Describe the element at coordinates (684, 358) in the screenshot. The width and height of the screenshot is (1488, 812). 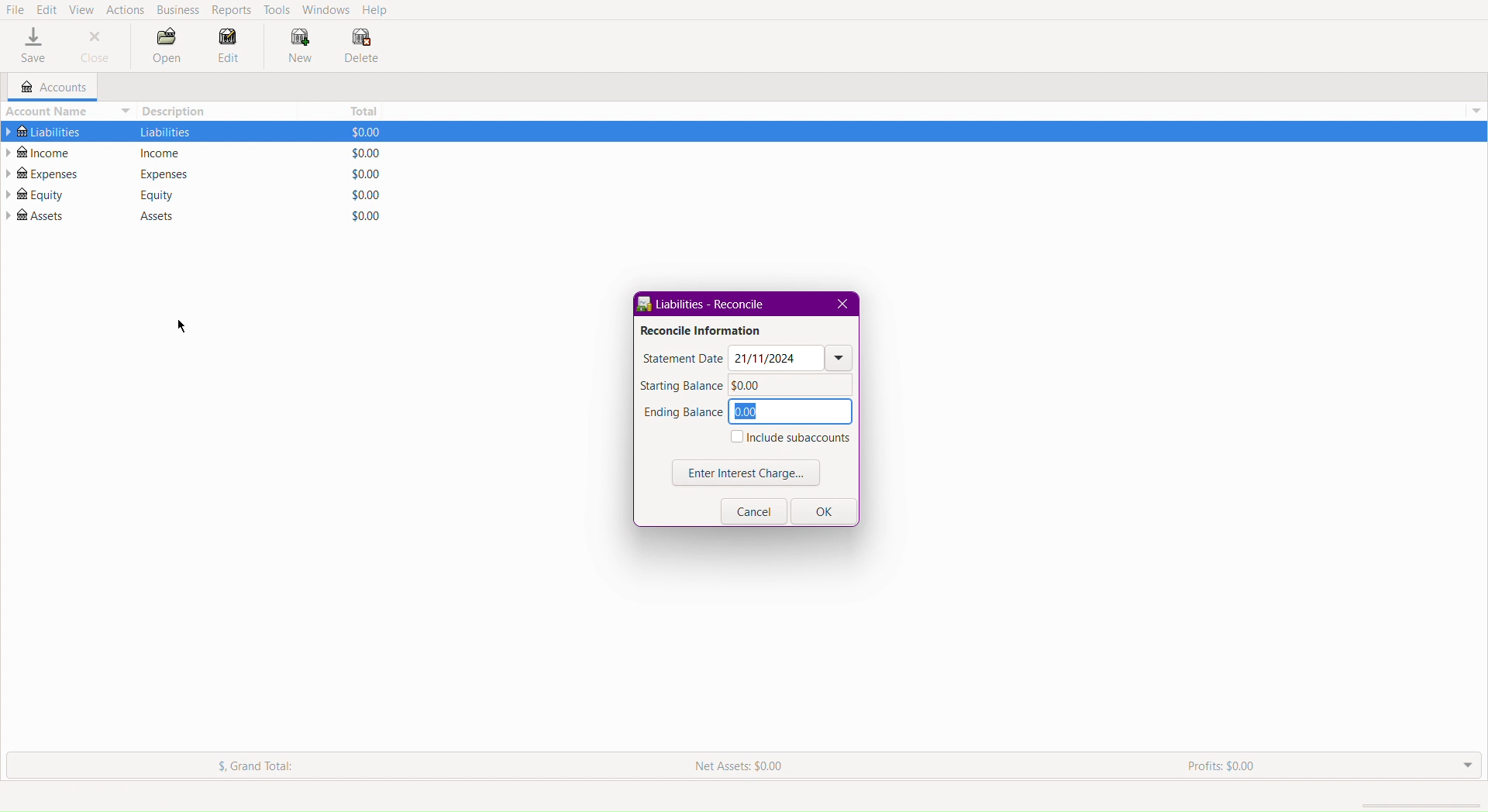
I see `Statement Date` at that location.